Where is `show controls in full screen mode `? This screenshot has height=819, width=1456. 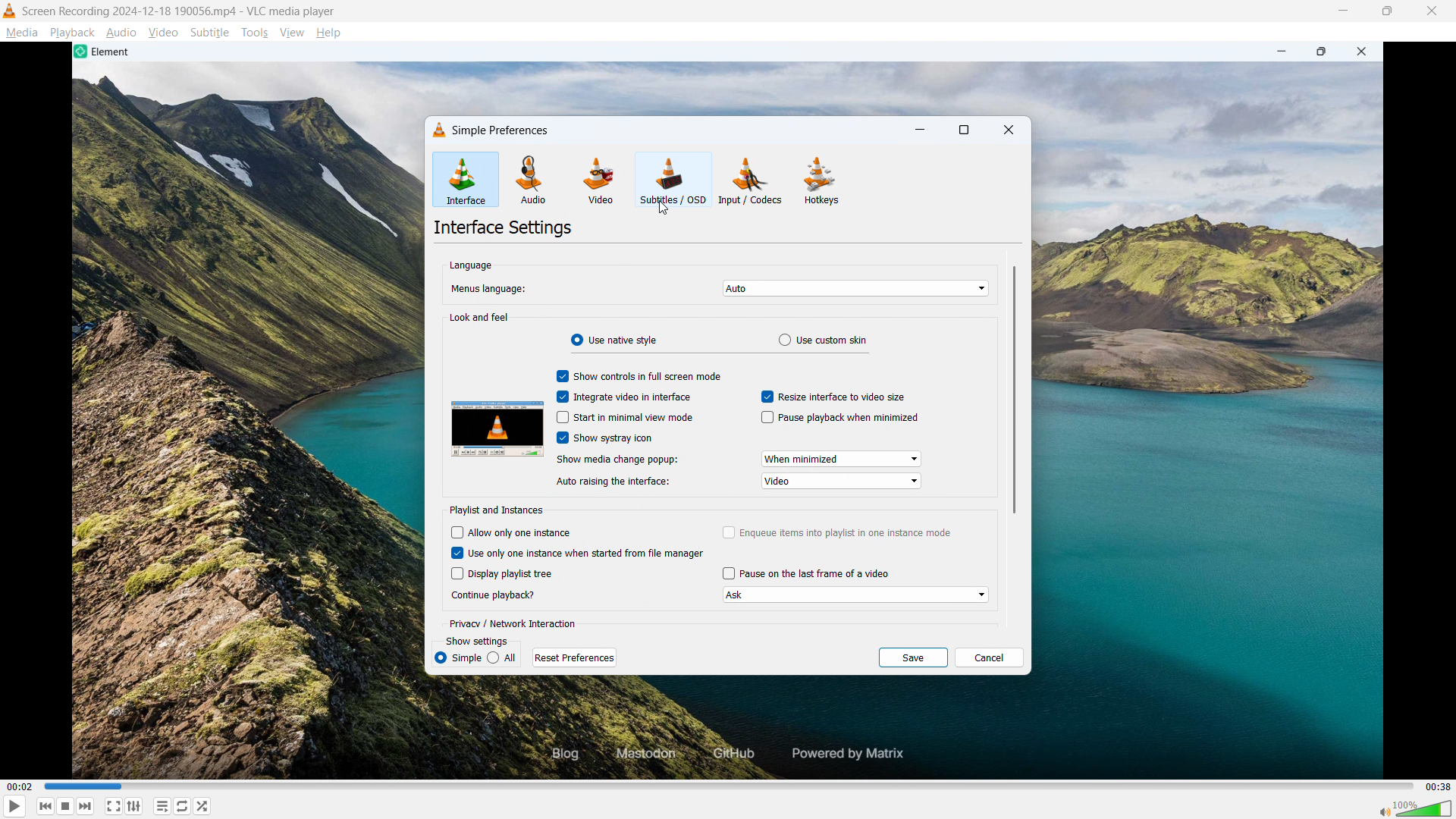 show controls in full screen mode  is located at coordinates (648, 376).